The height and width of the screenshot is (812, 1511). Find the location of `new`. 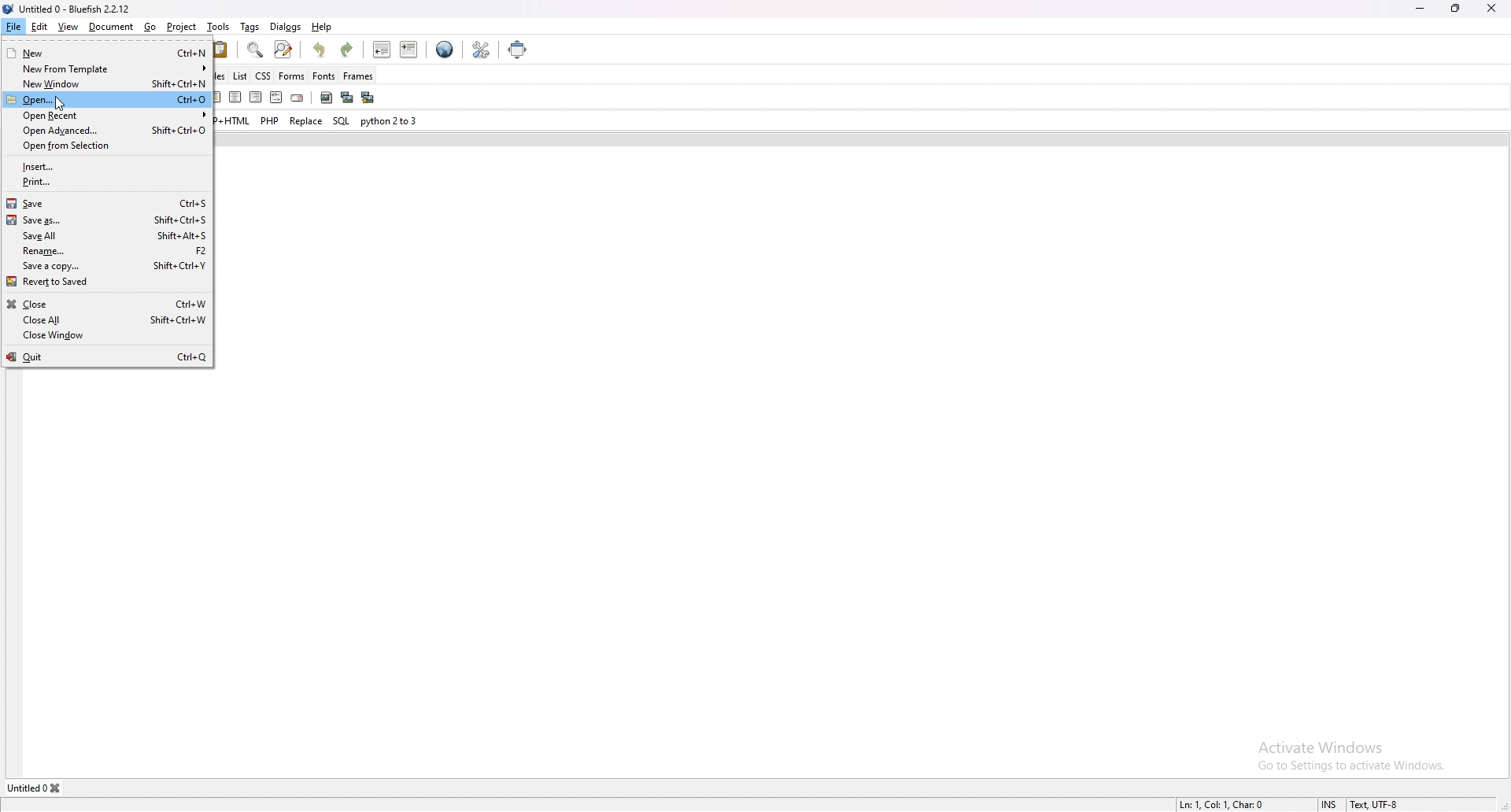

new is located at coordinates (39, 54).